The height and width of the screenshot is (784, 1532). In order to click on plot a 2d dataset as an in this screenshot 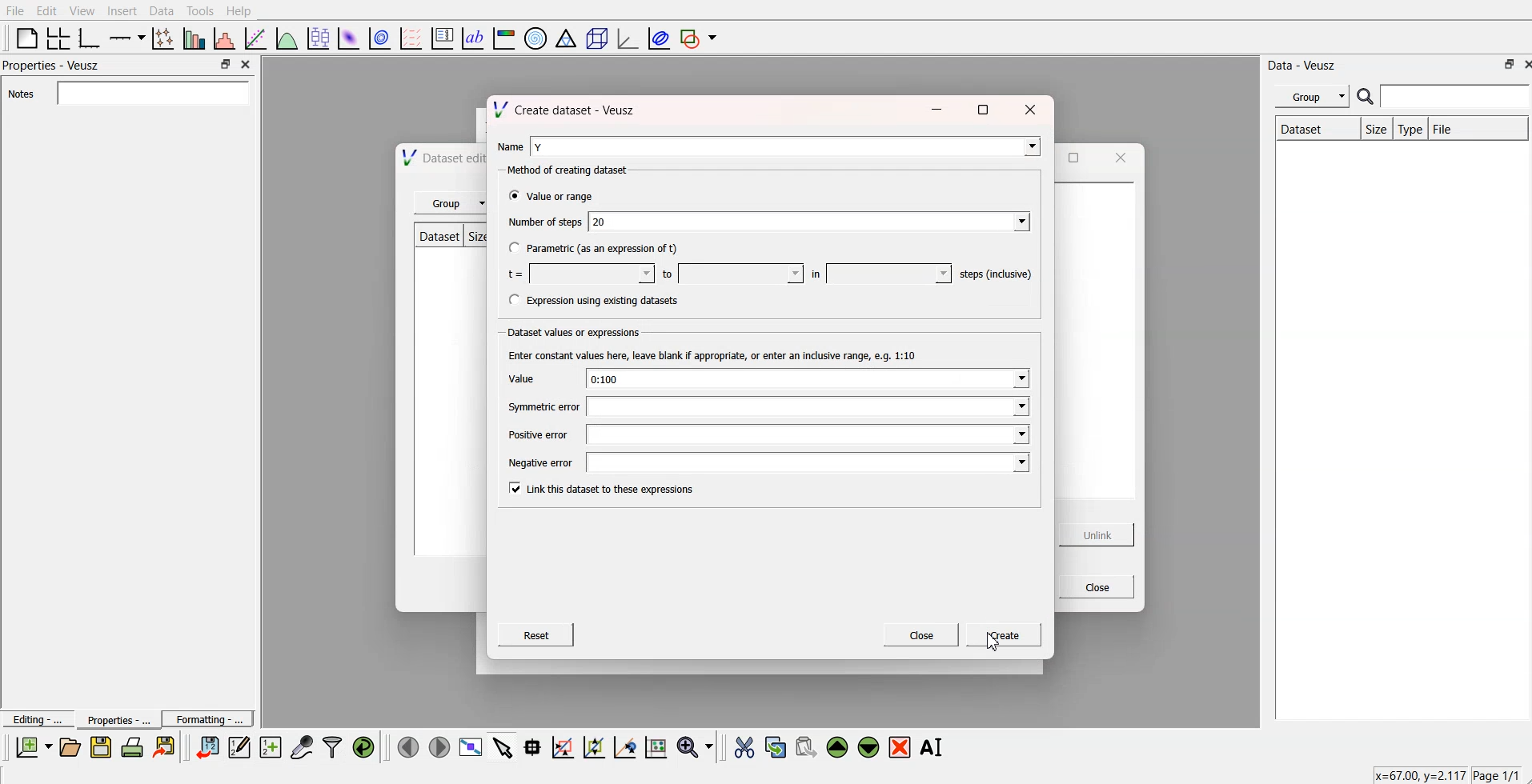, I will do `click(348, 37)`.